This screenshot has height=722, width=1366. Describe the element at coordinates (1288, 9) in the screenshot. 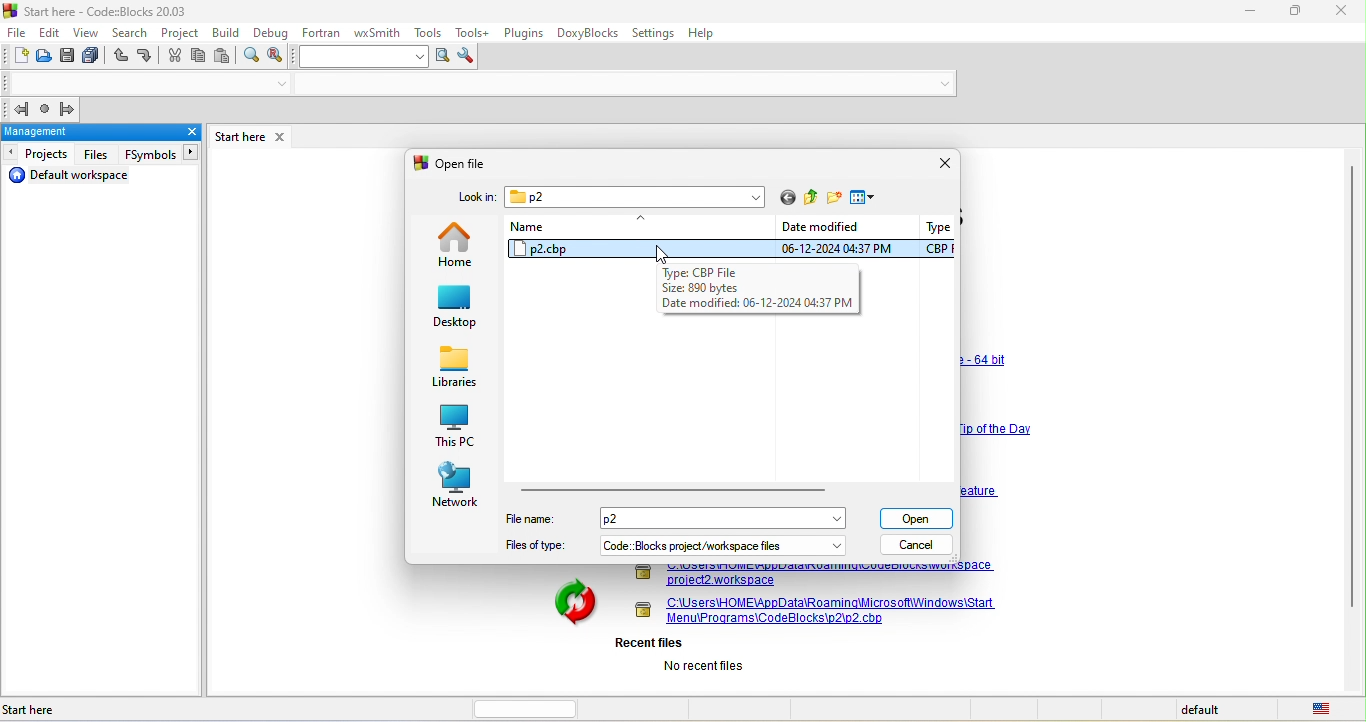

I see `maximize` at that location.